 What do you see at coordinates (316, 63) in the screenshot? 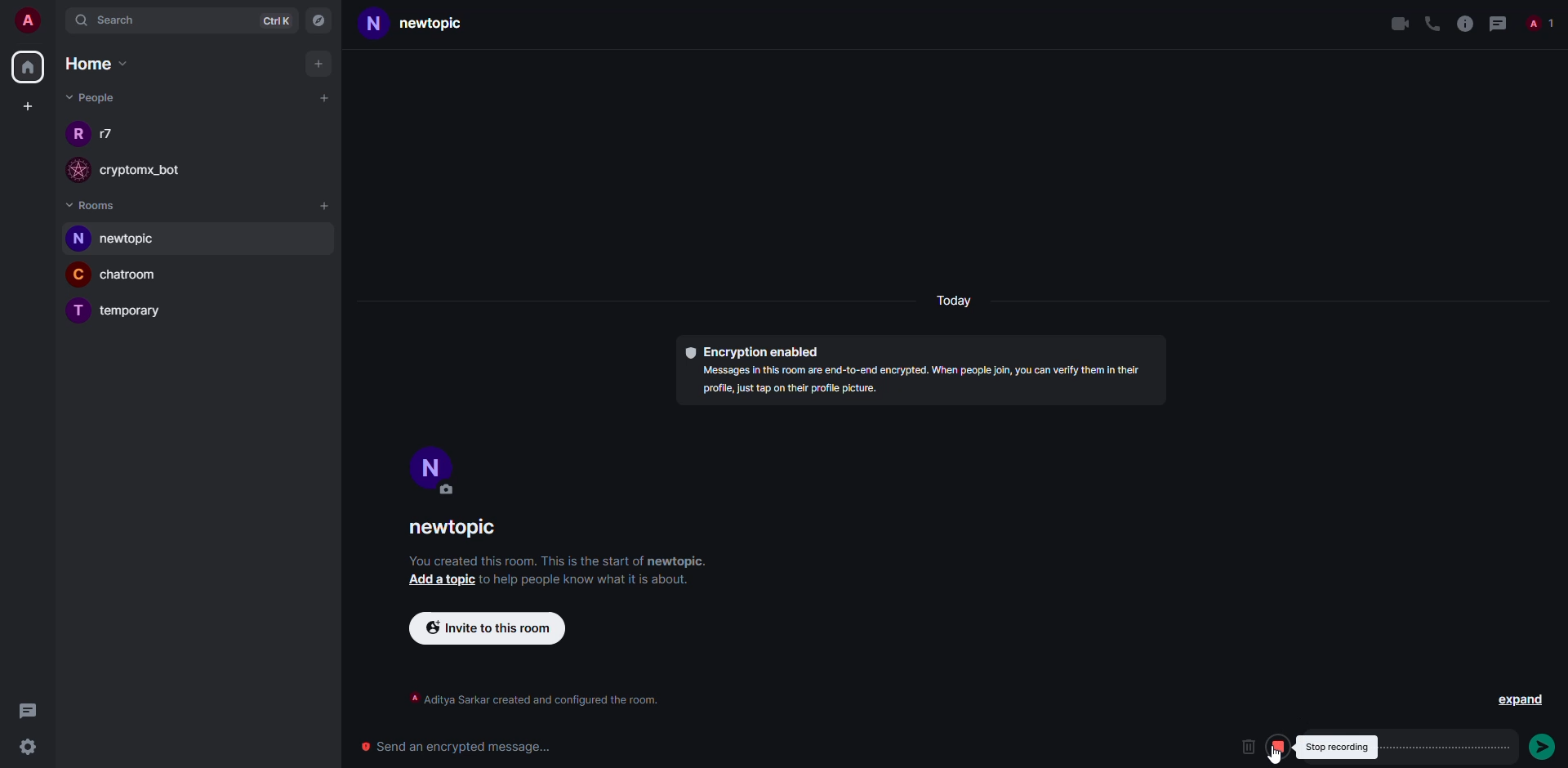
I see `add` at bounding box center [316, 63].